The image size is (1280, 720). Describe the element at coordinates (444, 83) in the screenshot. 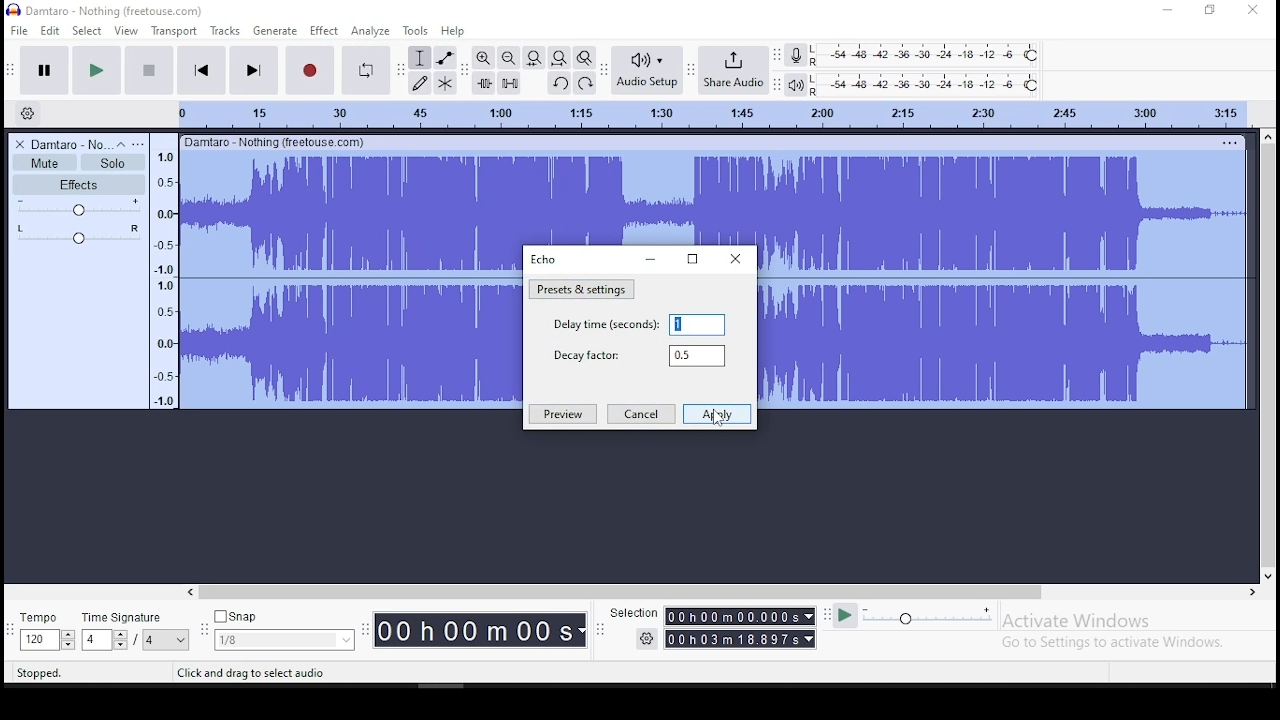

I see `multi tool` at that location.